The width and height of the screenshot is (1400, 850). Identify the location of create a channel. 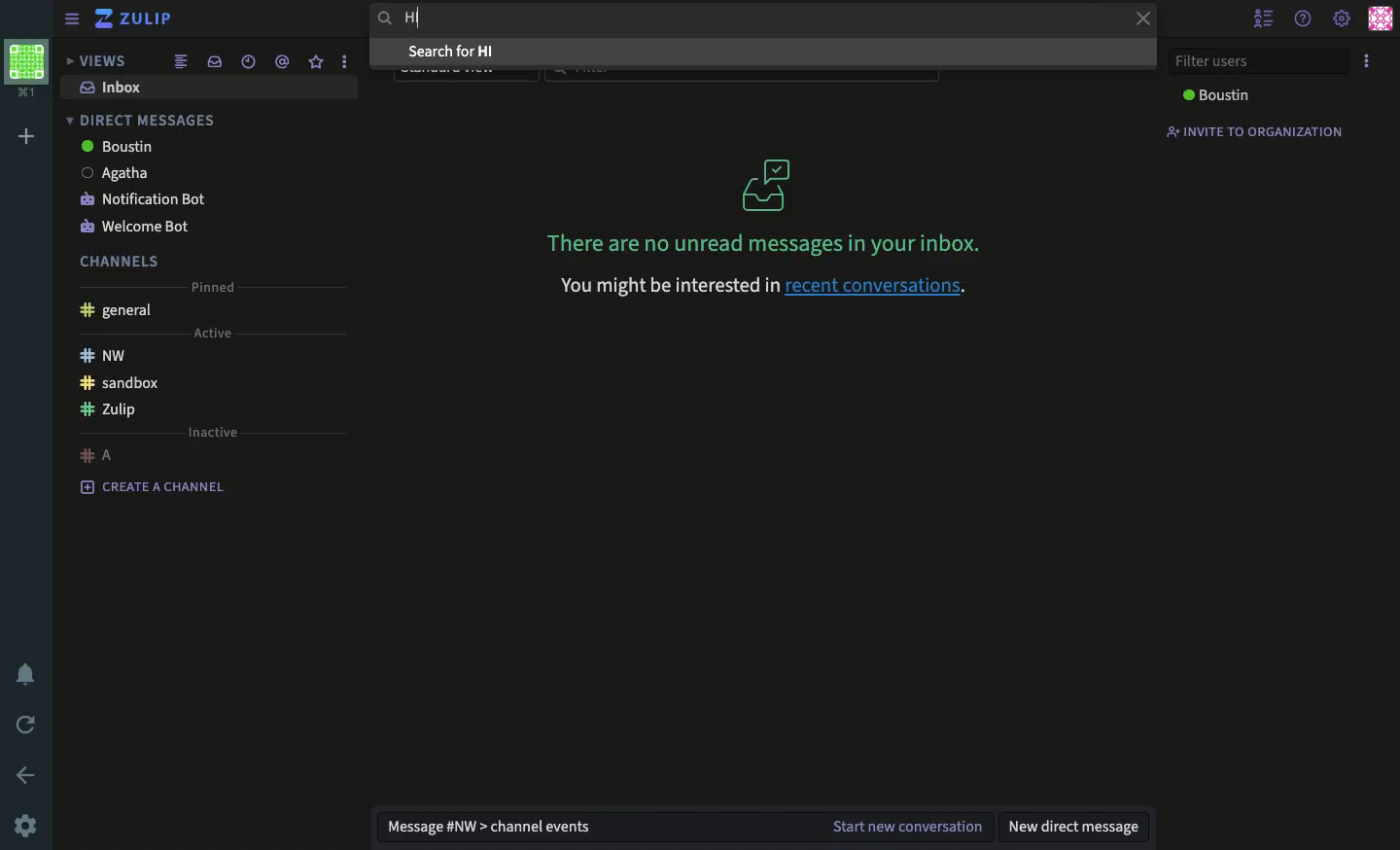
(153, 490).